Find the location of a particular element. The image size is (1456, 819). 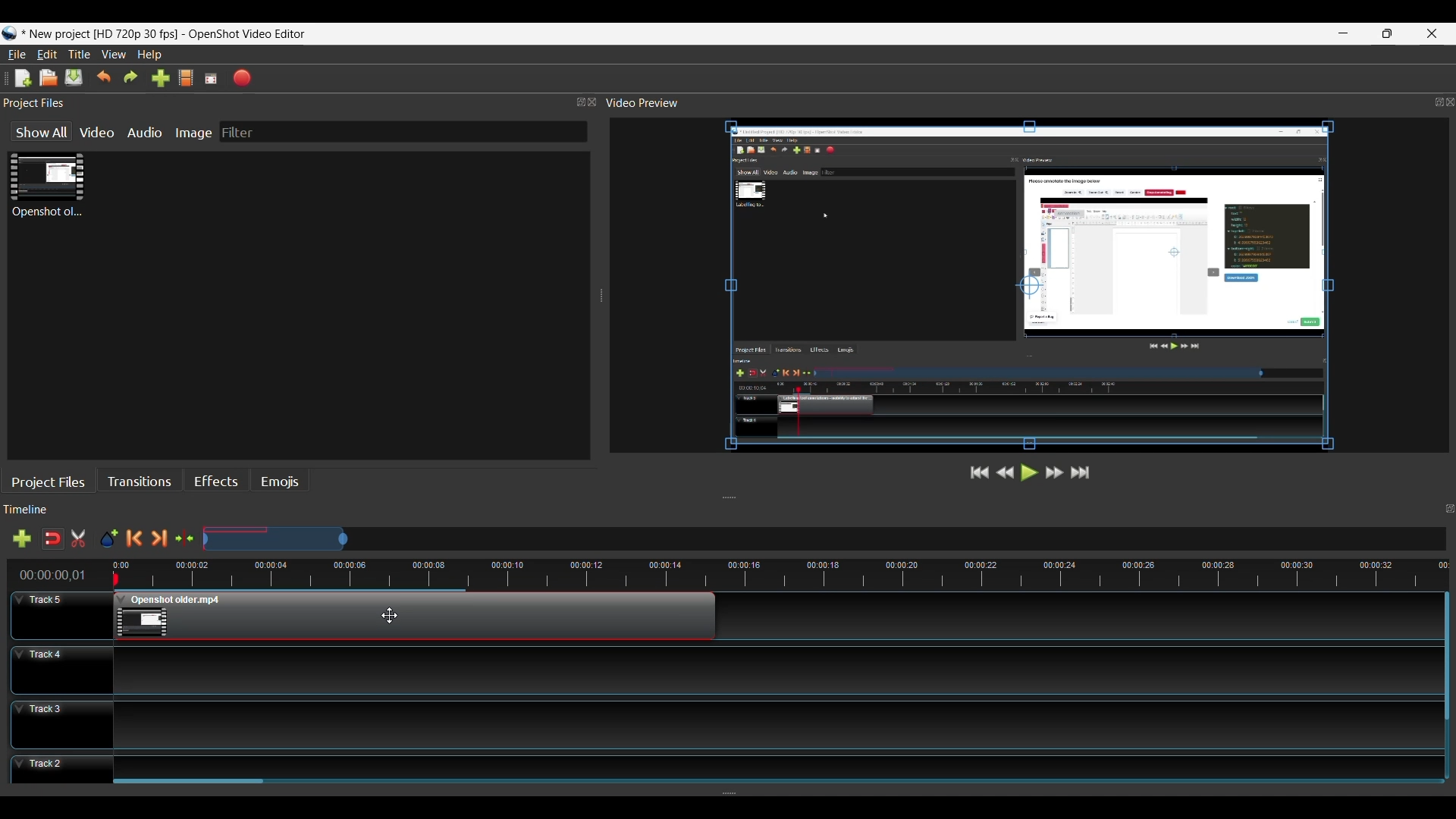

Clip at Track Panel is located at coordinates (416, 617).